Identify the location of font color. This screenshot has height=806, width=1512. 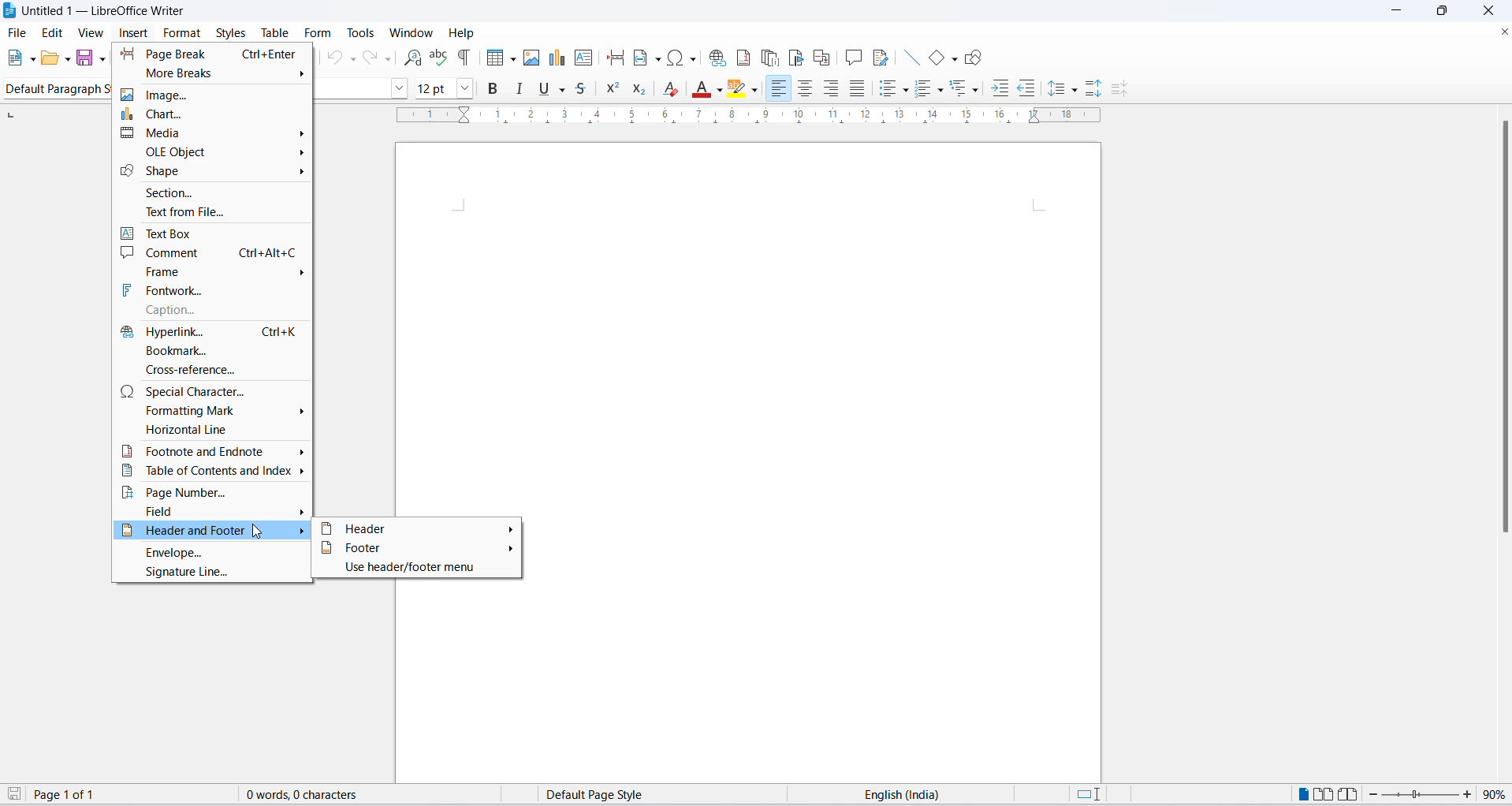
(699, 91).